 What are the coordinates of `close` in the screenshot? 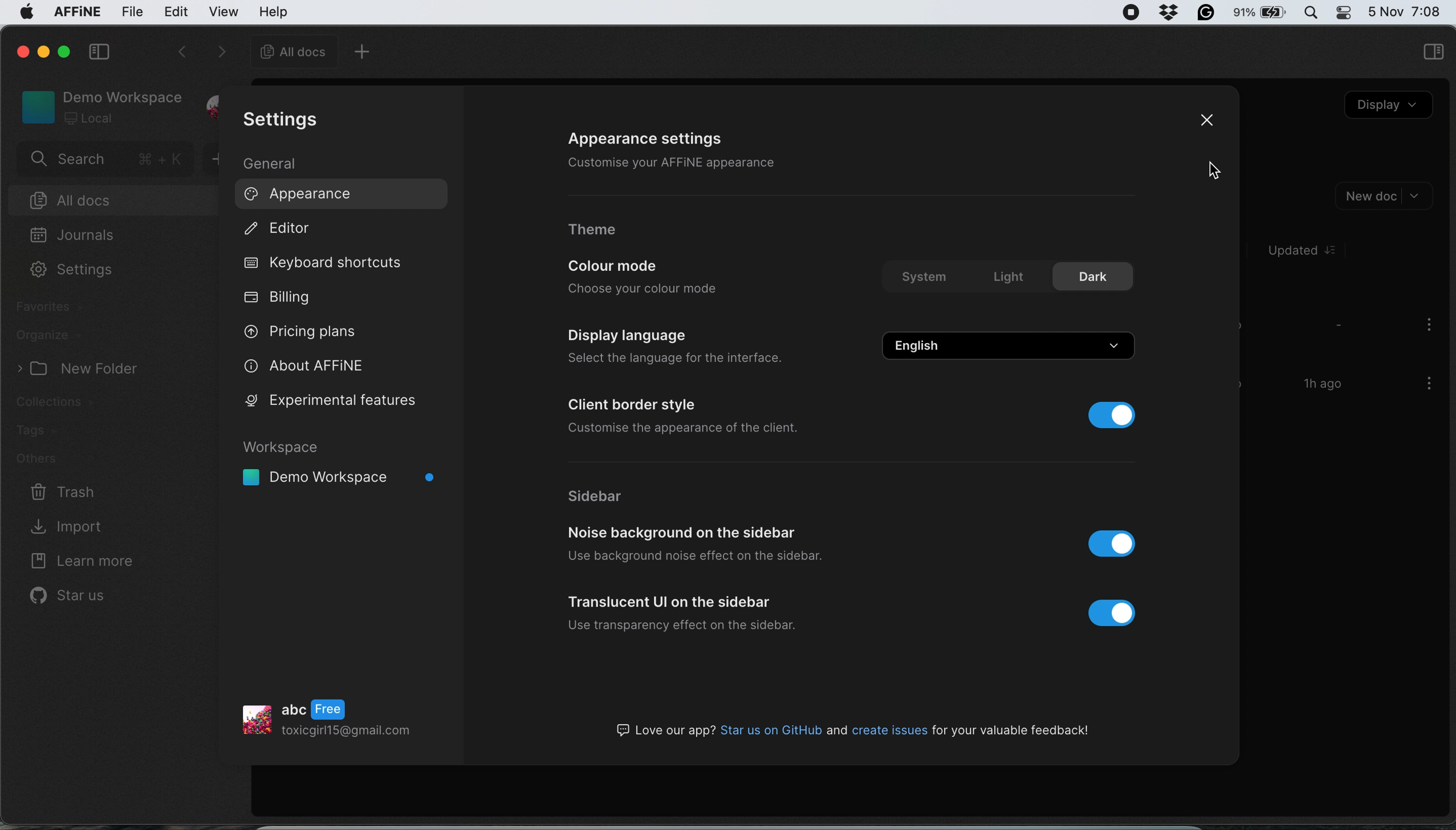 It's located at (1208, 122).